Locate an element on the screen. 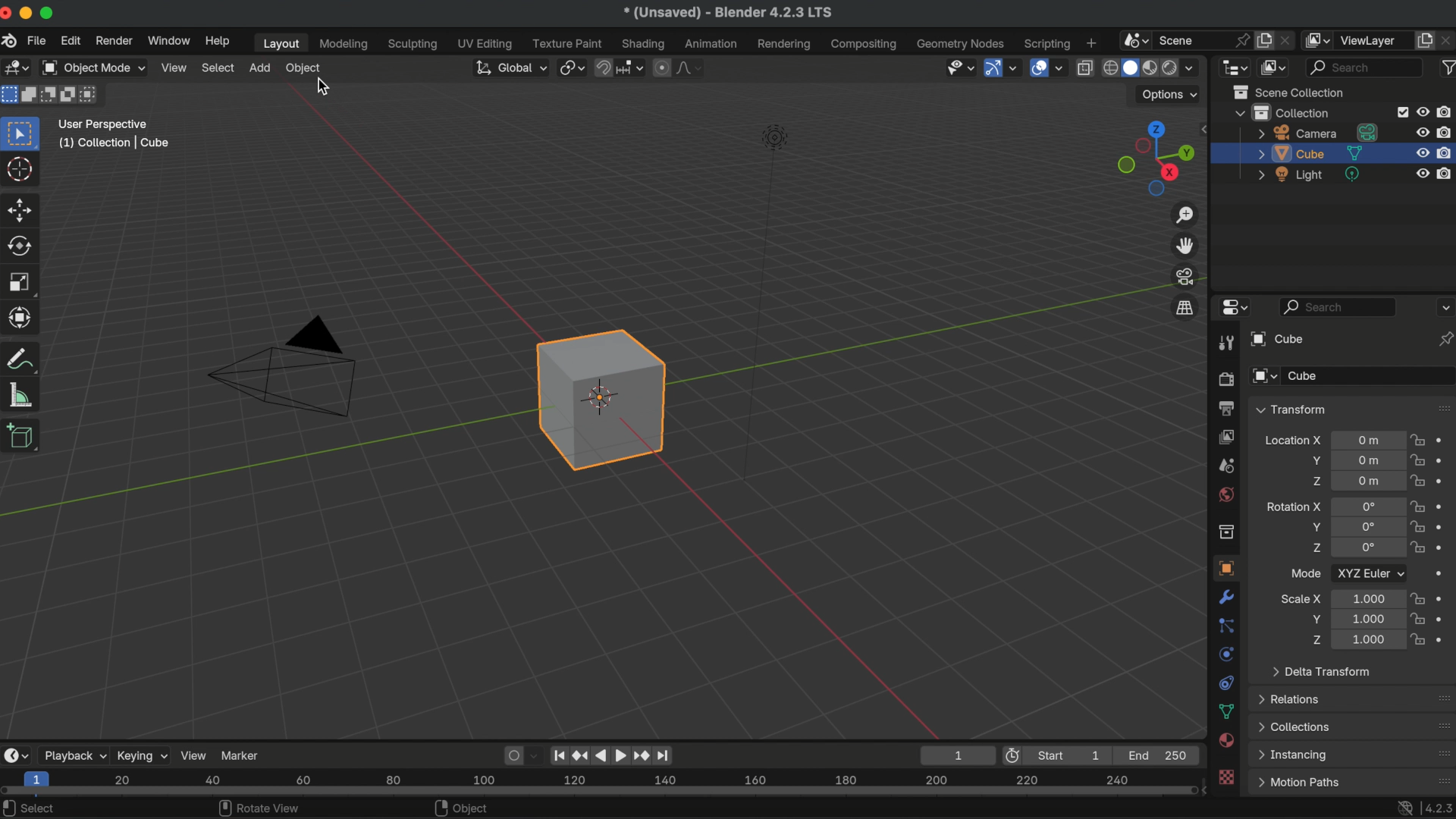 The image size is (1456, 819). Euler rotation is located at coordinates (1367, 507).